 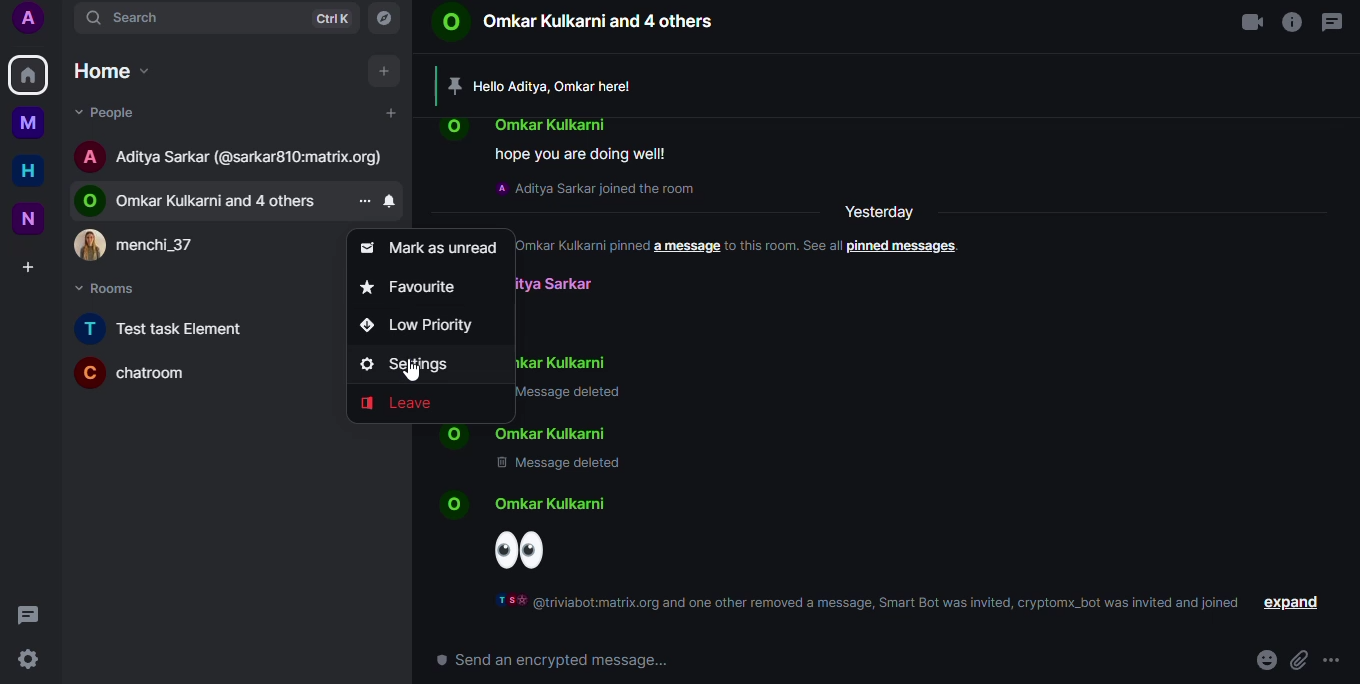 I want to click on info, so click(x=1292, y=20).